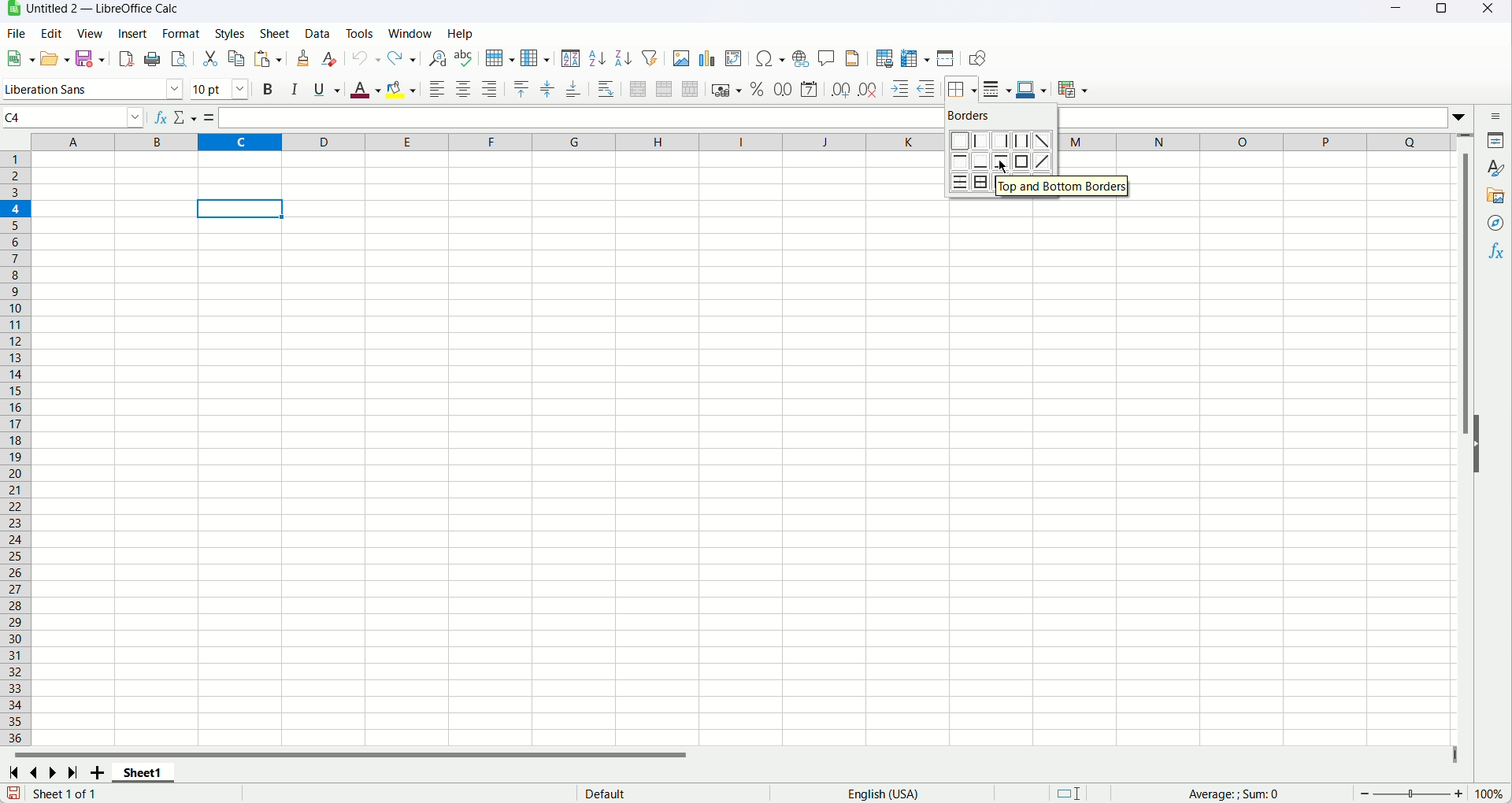  Describe the element at coordinates (74, 773) in the screenshot. I see `Last sheet` at that location.